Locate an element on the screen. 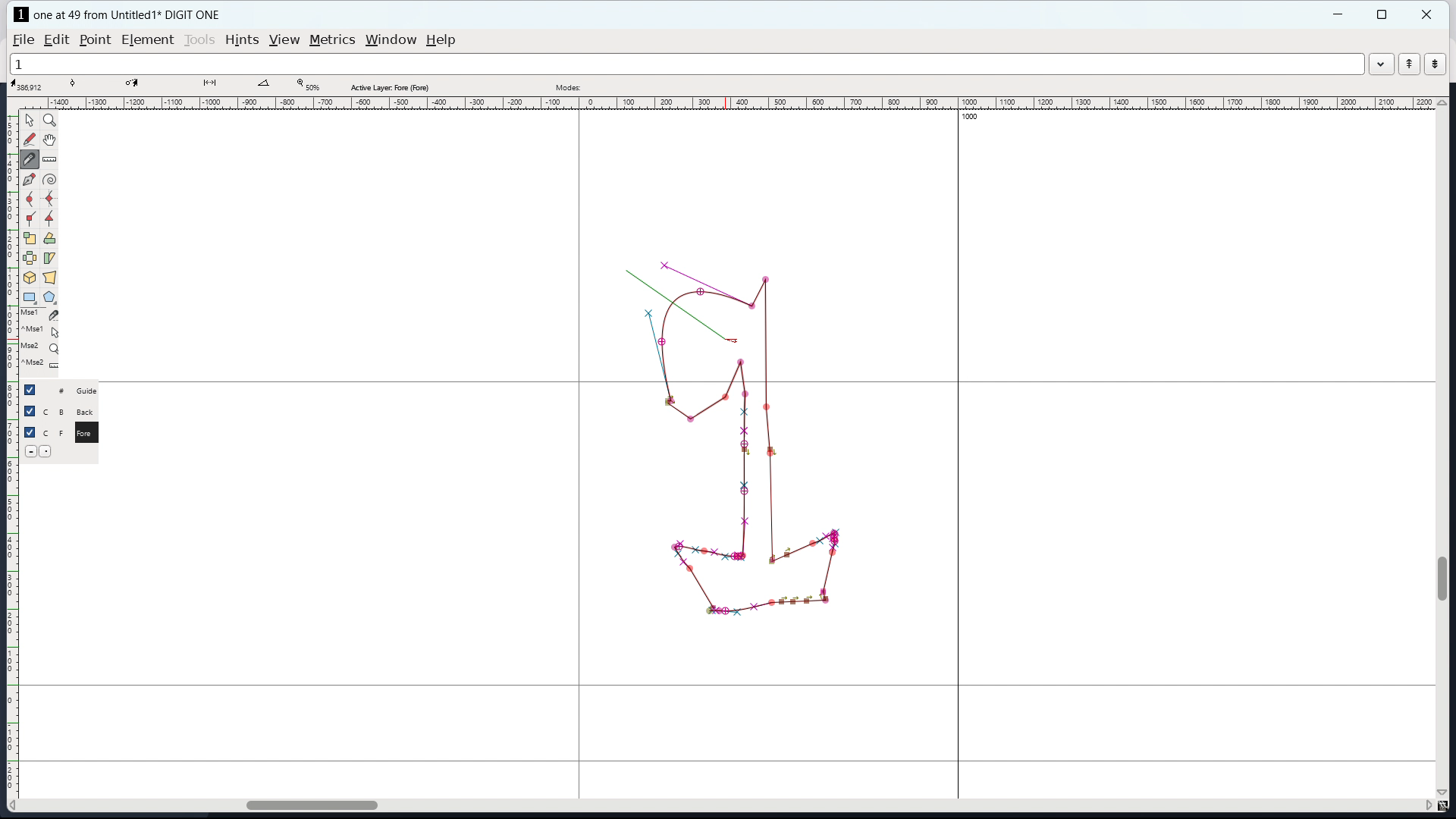 This screenshot has height=819, width=1456. next word in the current word list is located at coordinates (1435, 64).